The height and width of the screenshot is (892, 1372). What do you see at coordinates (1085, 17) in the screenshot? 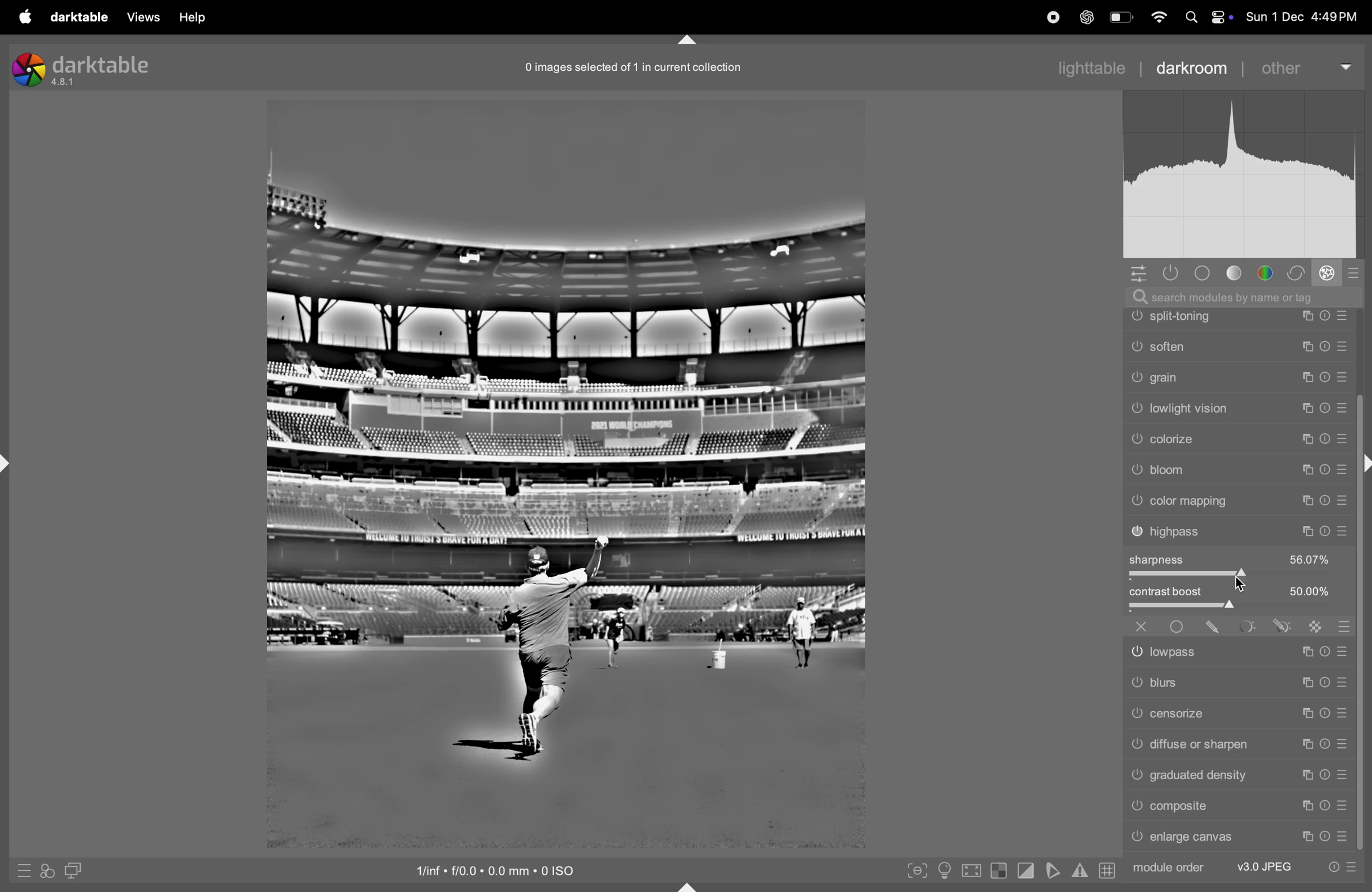
I see `cahtgpt` at bounding box center [1085, 17].